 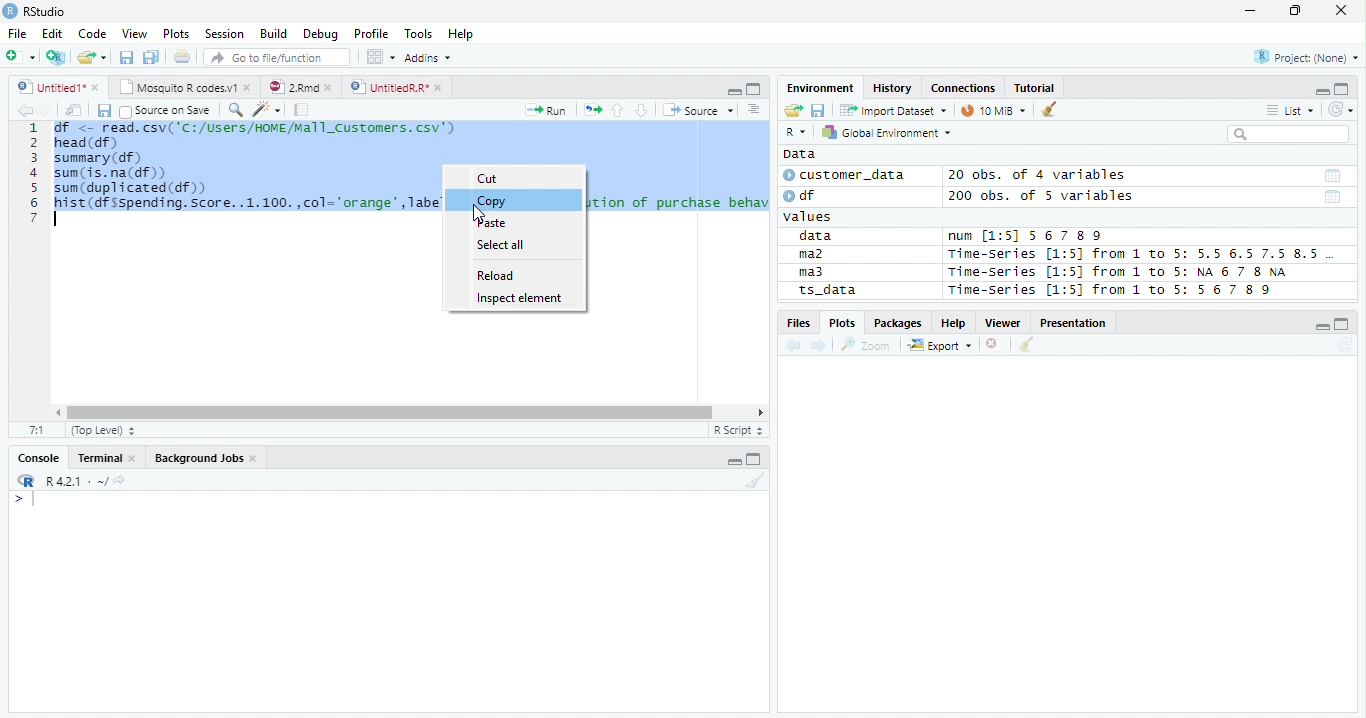 I want to click on SN <- read. csv( 'C1/USers/NINEMEl1_Custonrs. csv’)

head (df)

summary (df)

sum (is. na(df))

sum (duplicated (df)

hist (df sspending. Score. .1.100.,col="orange",Tabels=T,main="Distribution of purchase behav
|, so click(x=246, y=166).